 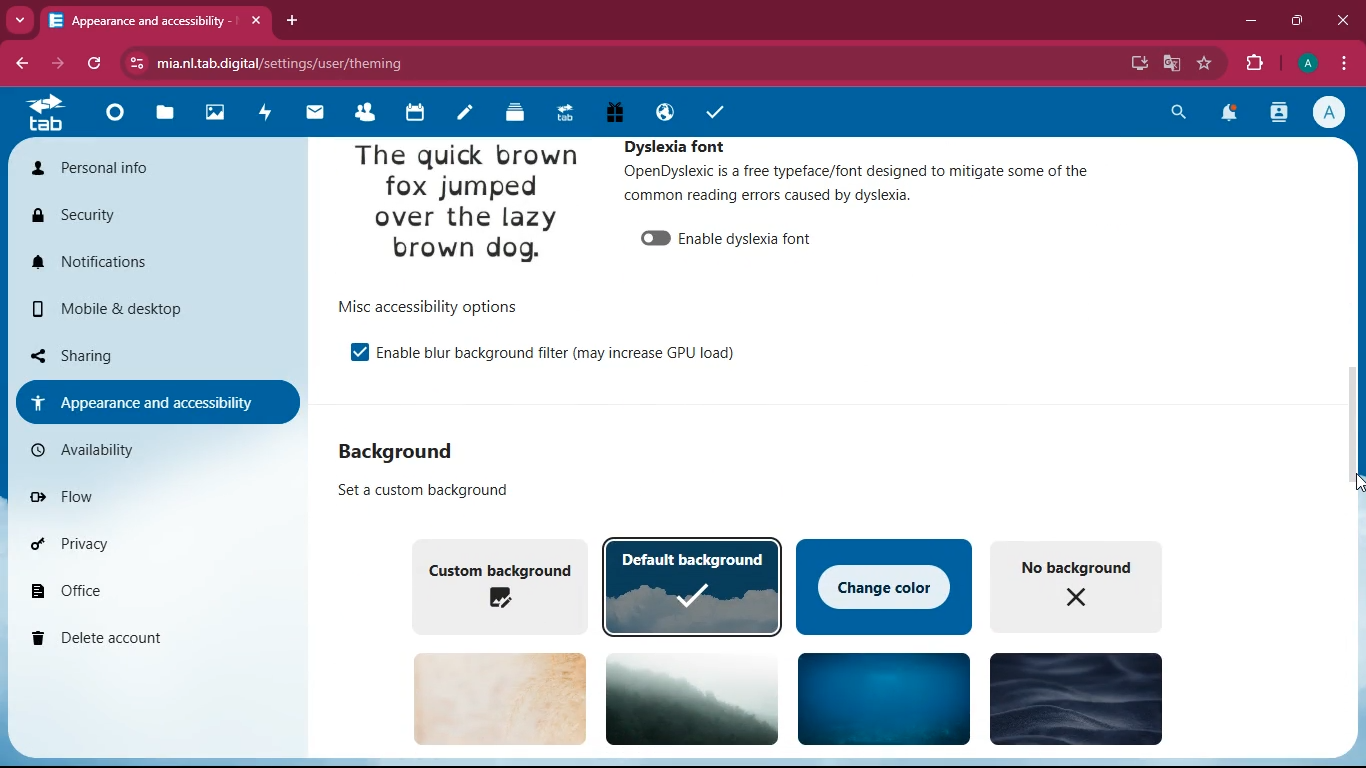 I want to click on appearance and accessibility , so click(x=159, y=21).